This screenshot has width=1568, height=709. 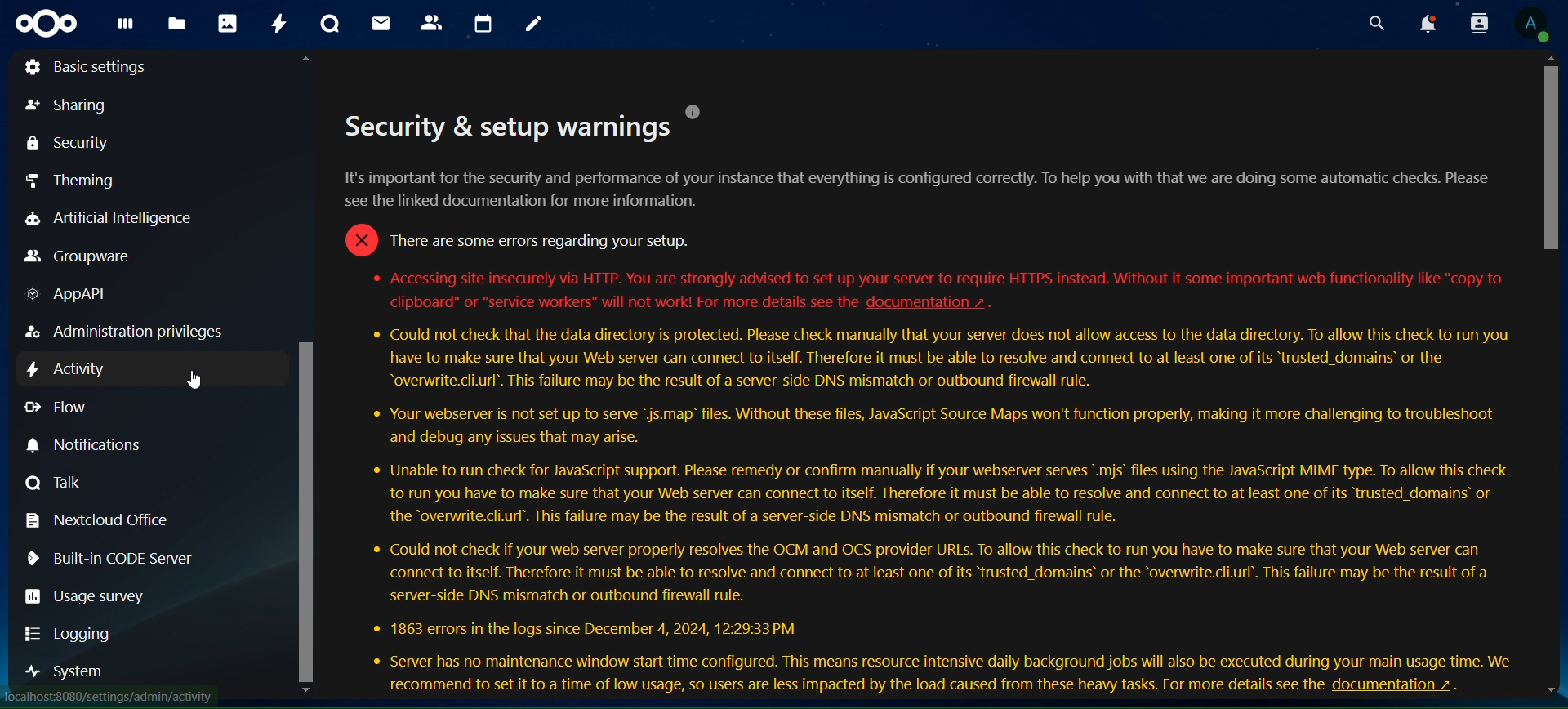 I want to click on icon, so click(x=46, y=24).